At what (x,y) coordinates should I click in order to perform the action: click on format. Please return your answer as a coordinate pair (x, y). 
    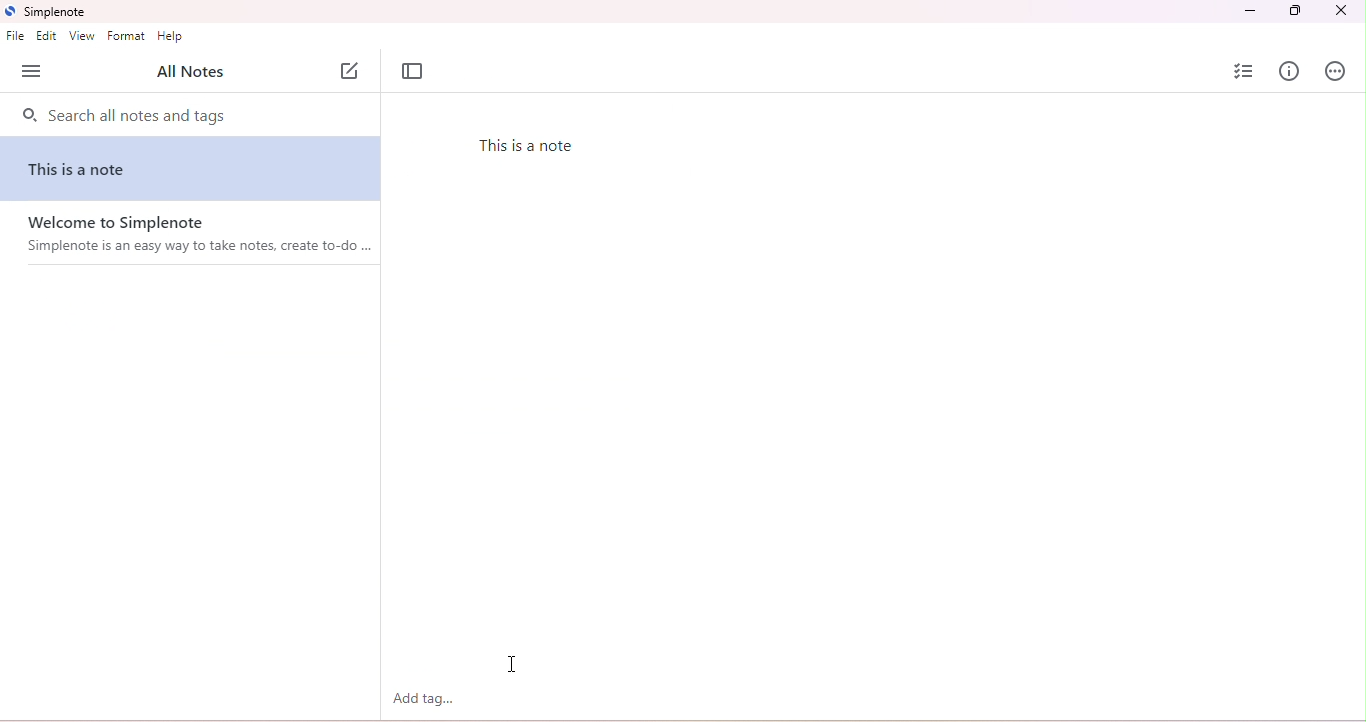
    Looking at the image, I should click on (126, 36).